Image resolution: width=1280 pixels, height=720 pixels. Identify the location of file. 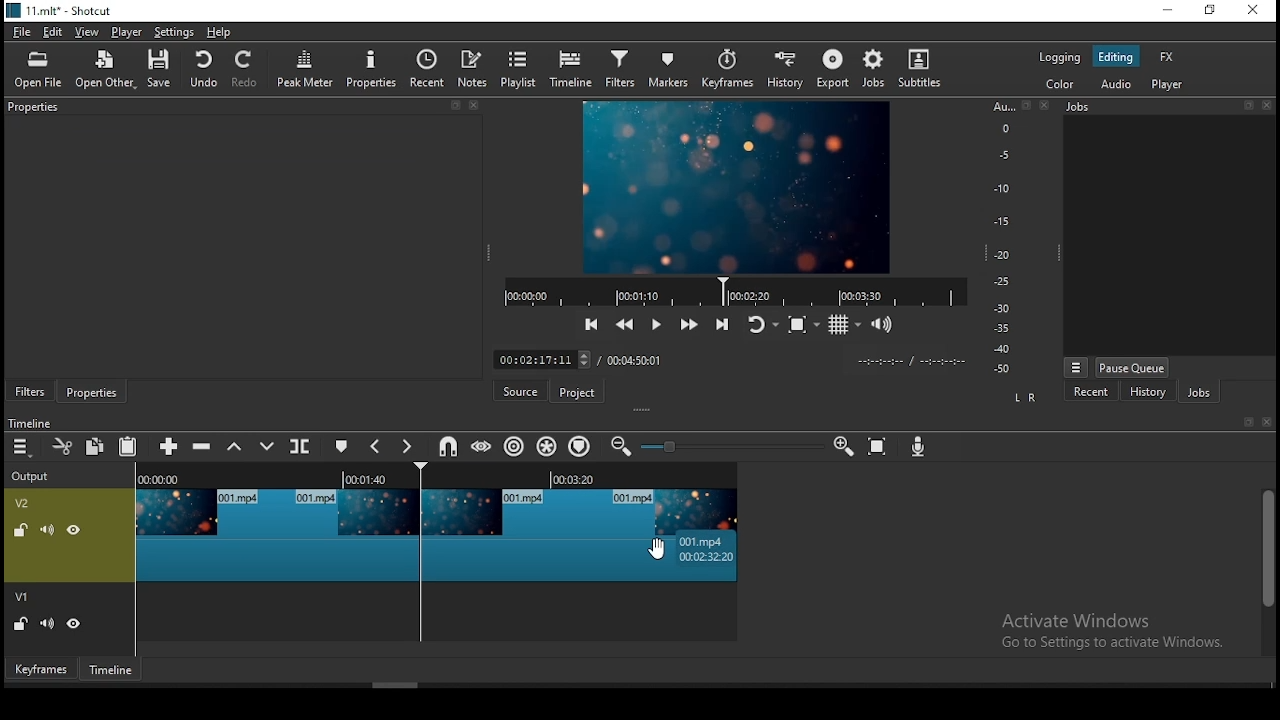
(20, 31).